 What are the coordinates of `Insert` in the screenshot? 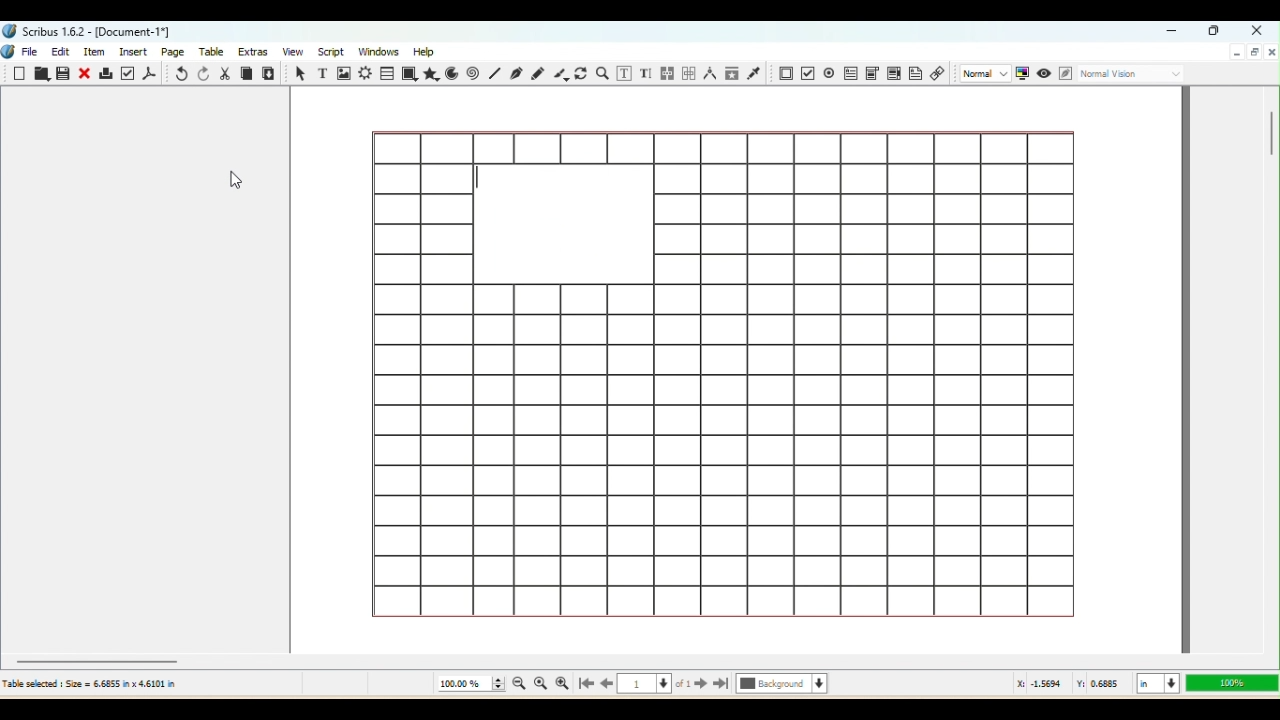 It's located at (136, 51).